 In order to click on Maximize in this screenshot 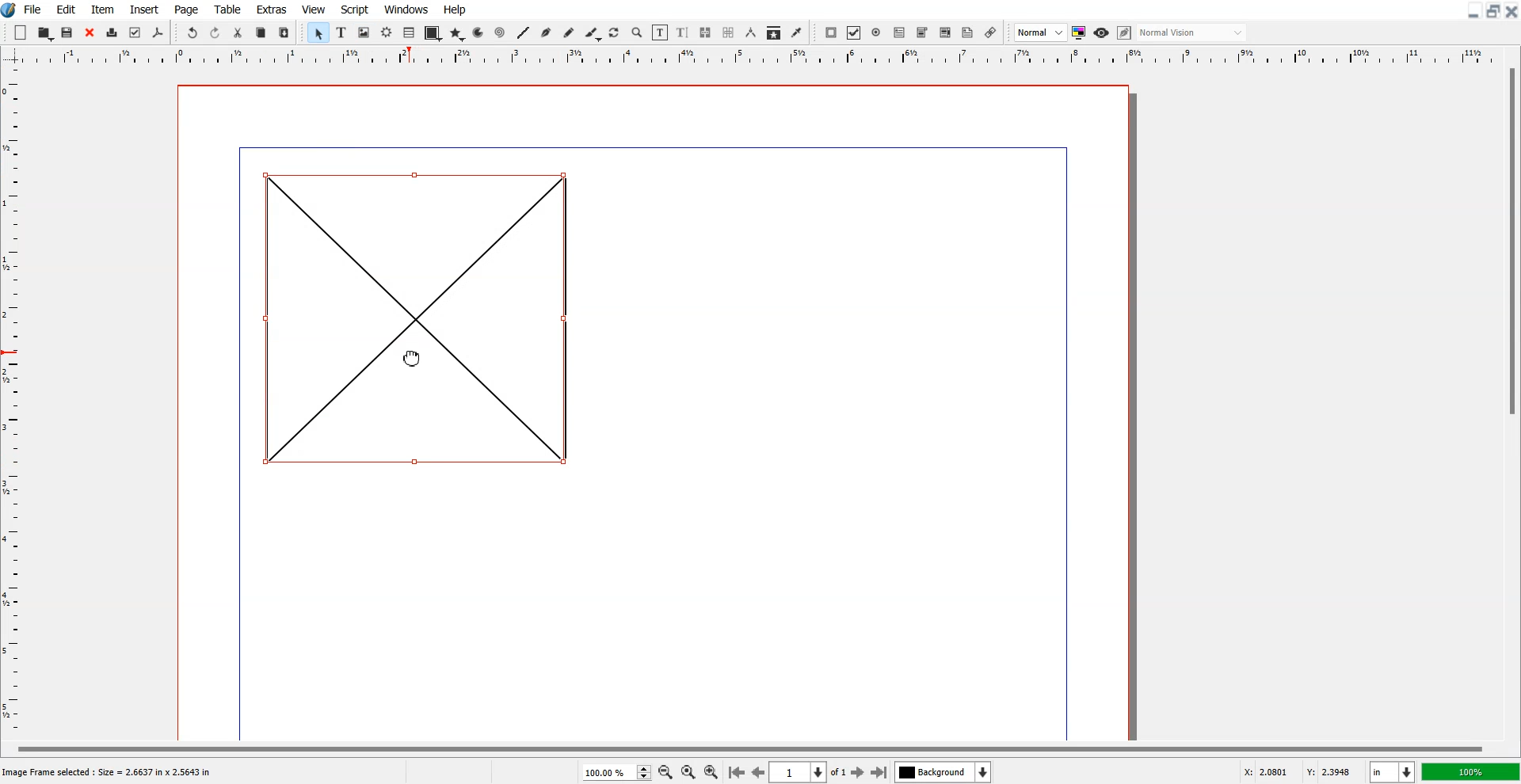, I will do `click(1492, 11)`.